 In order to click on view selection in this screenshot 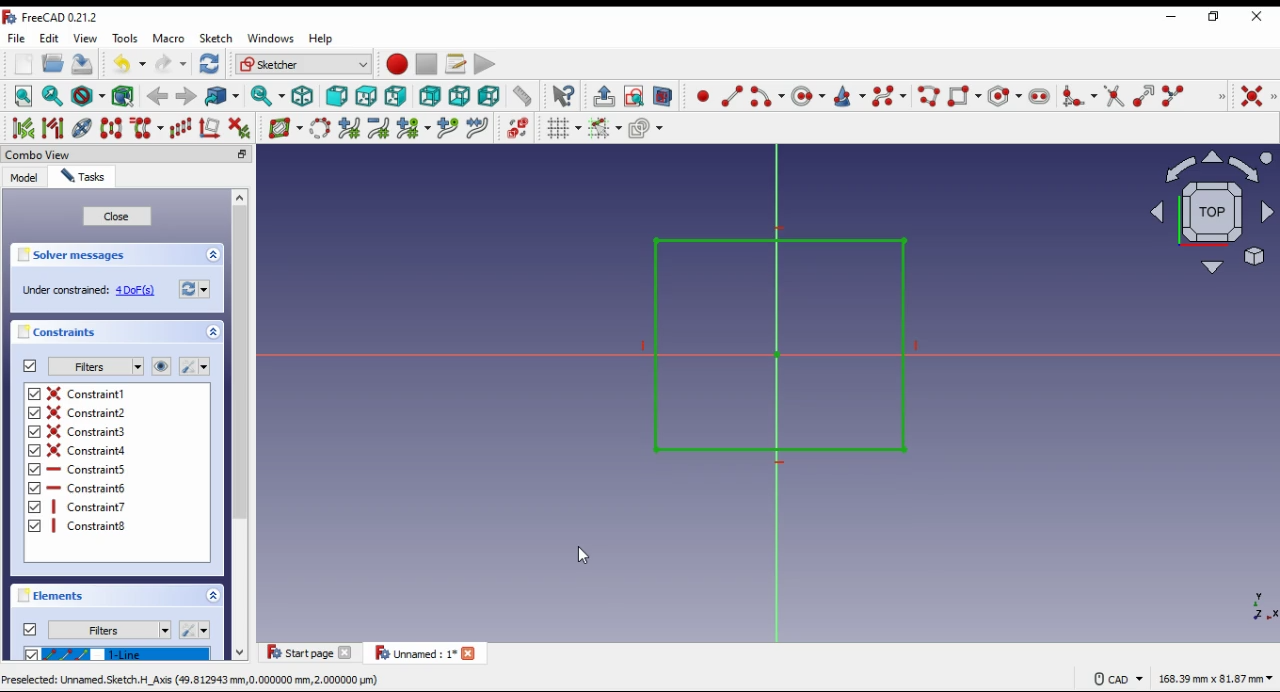, I will do `click(662, 96)`.